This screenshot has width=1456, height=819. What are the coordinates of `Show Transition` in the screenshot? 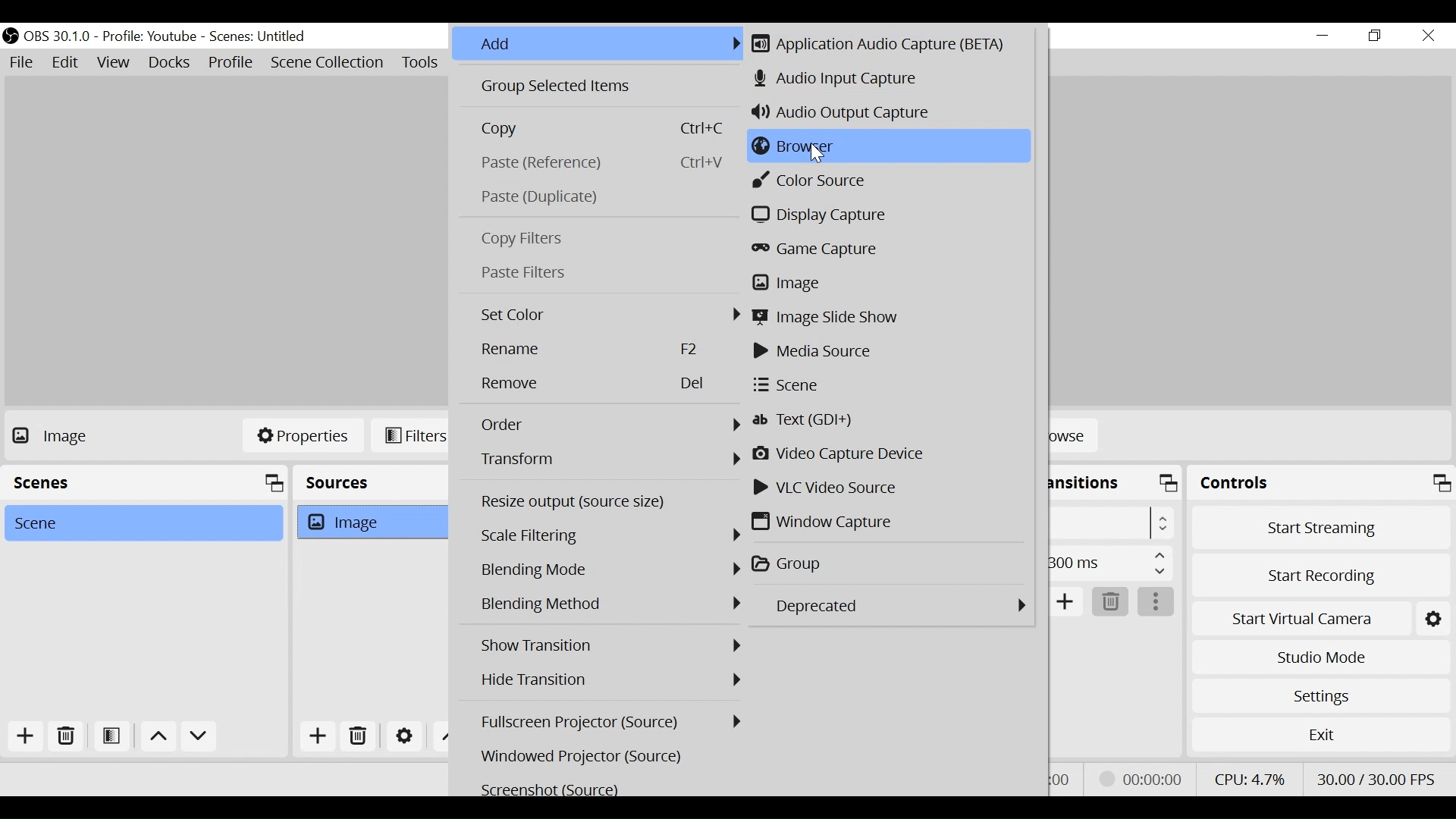 It's located at (615, 645).